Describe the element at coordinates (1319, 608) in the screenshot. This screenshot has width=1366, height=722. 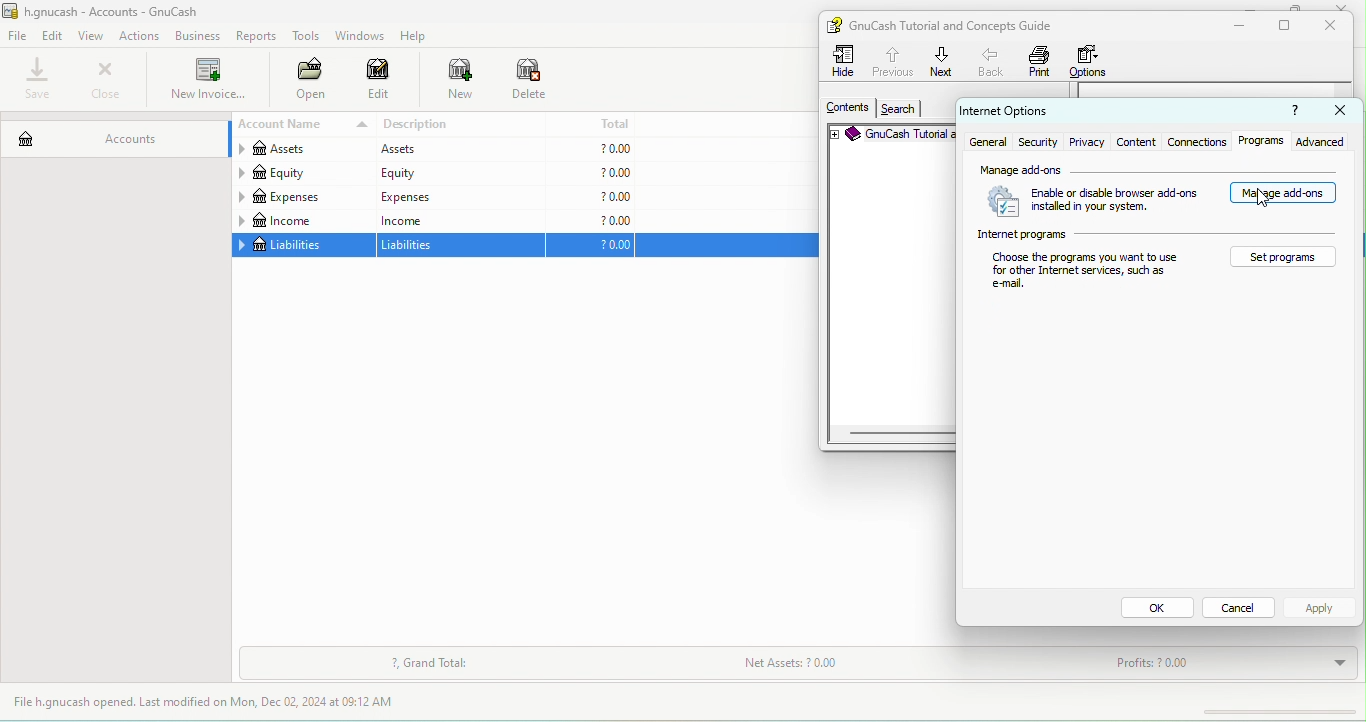
I see `apply` at that location.